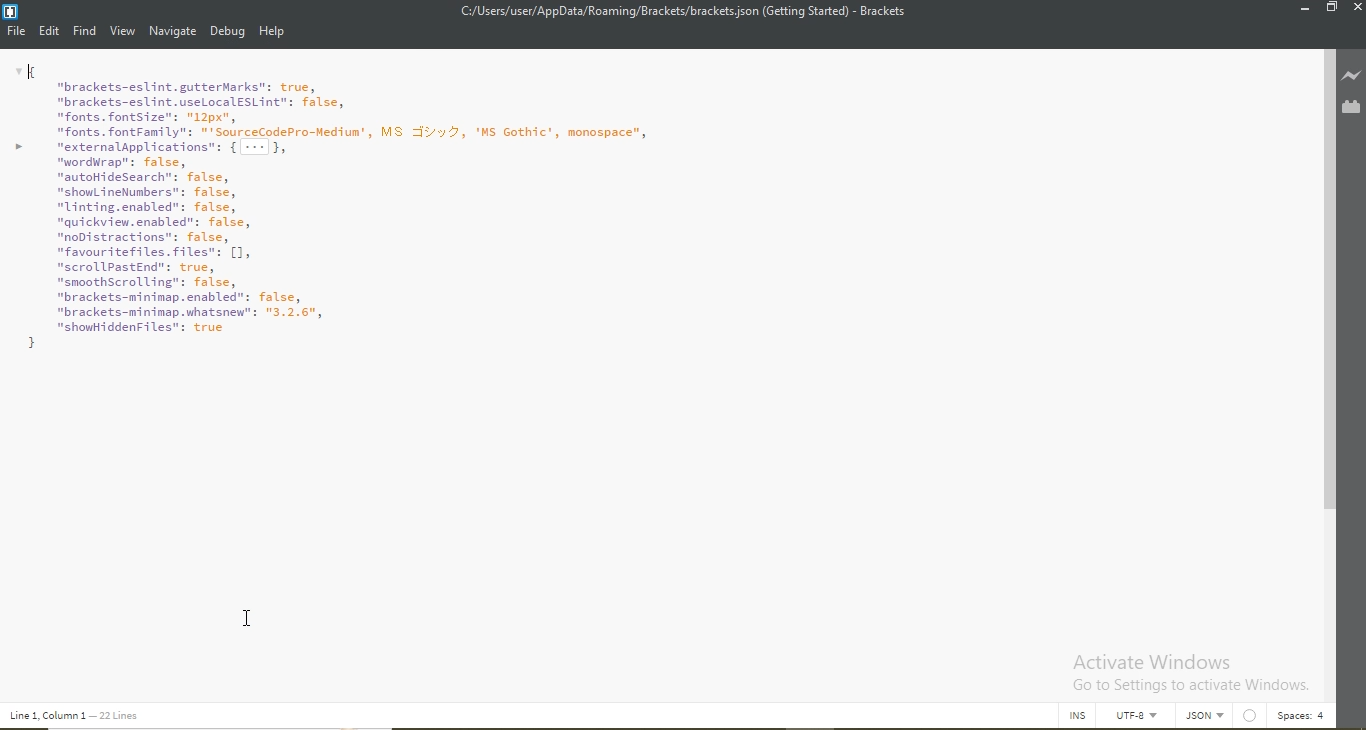 Image resolution: width=1366 pixels, height=730 pixels. Describe the element at coordinates (174, 31) in the screenshot. I see `Navigate` at that location.